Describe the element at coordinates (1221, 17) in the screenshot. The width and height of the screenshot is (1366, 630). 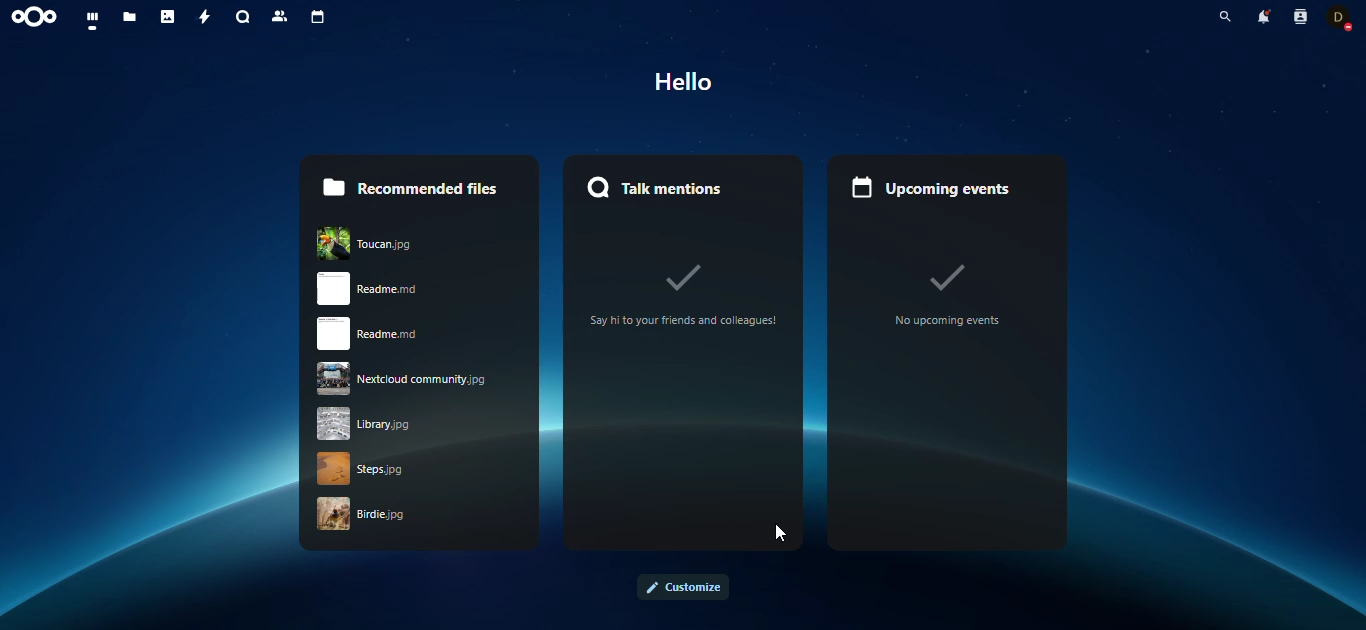
I see `search` at that location.